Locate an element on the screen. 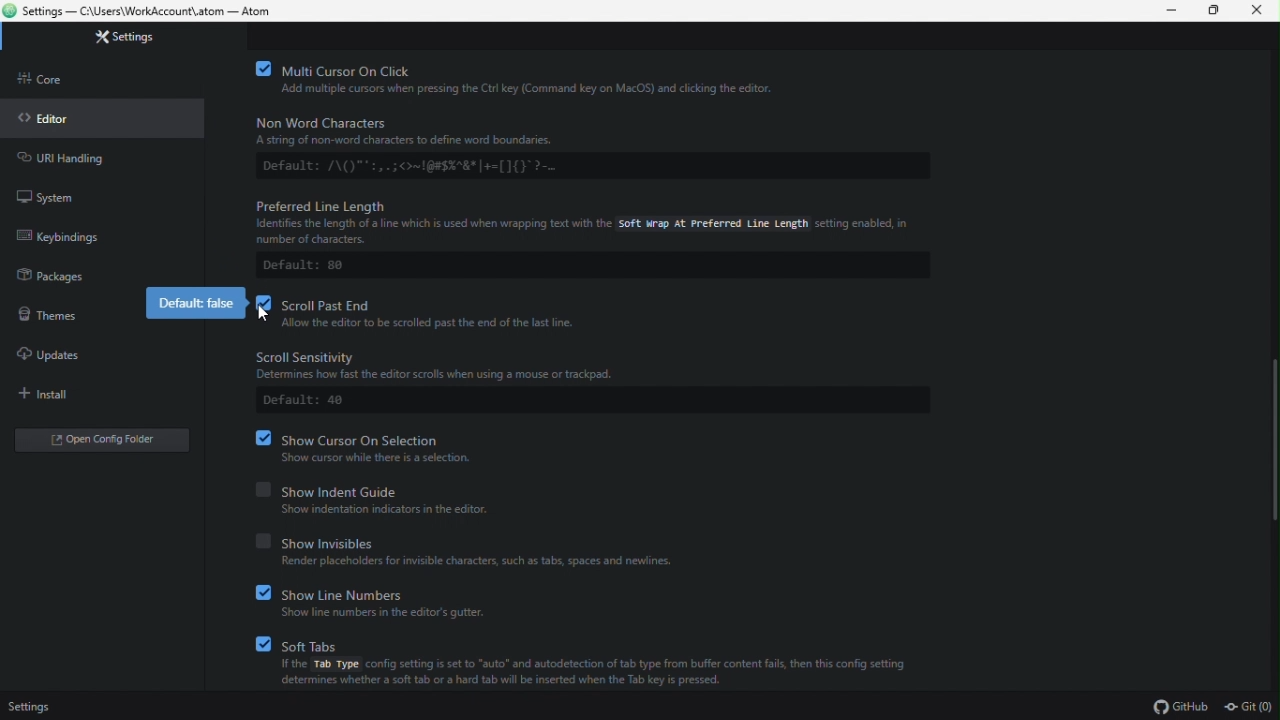   Allow the editor to be scrolled past the end of the last fine. is located at coordinates (437, 323).